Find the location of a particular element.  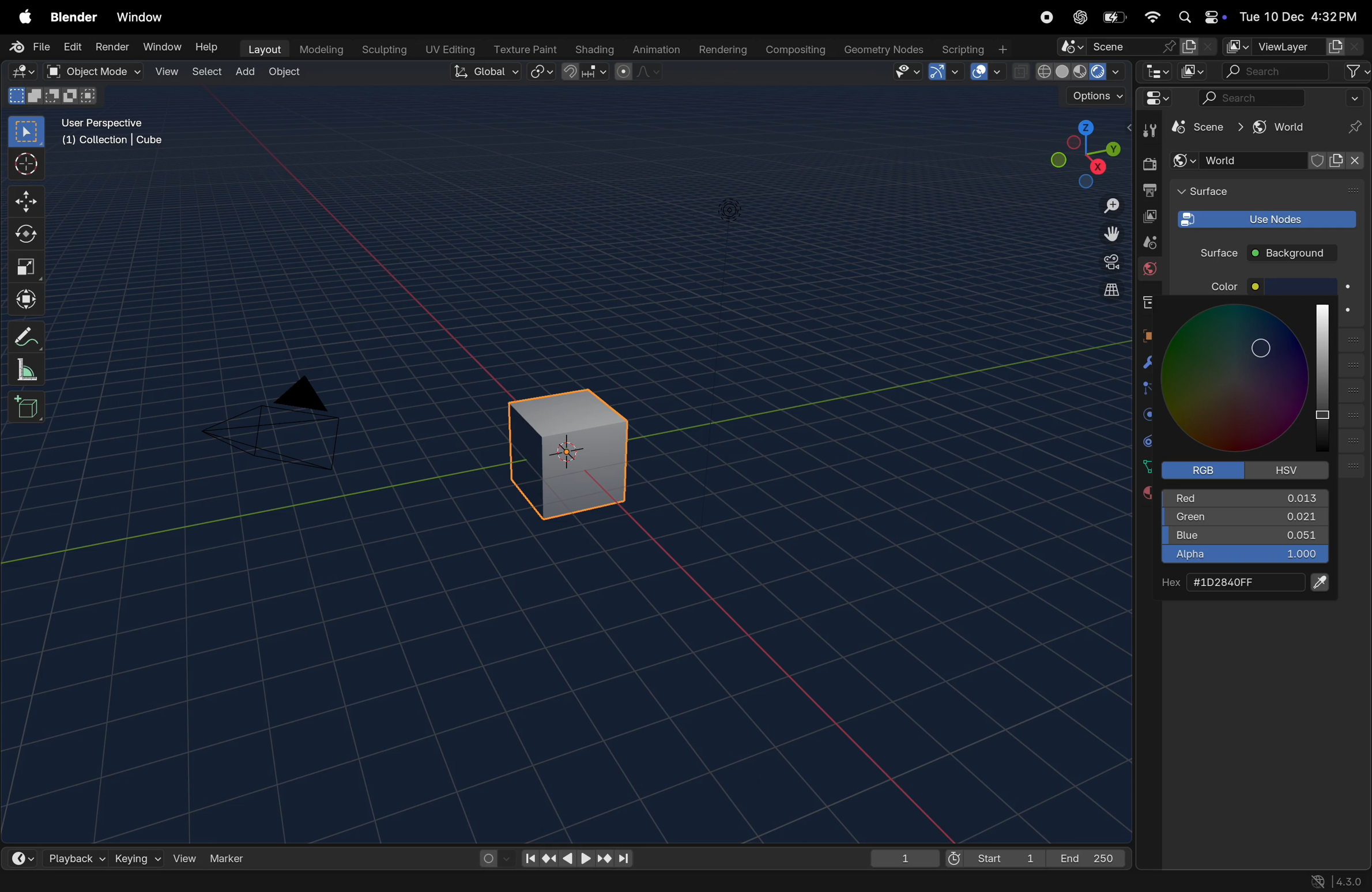

playback controls is located at coordinates (576, 857).